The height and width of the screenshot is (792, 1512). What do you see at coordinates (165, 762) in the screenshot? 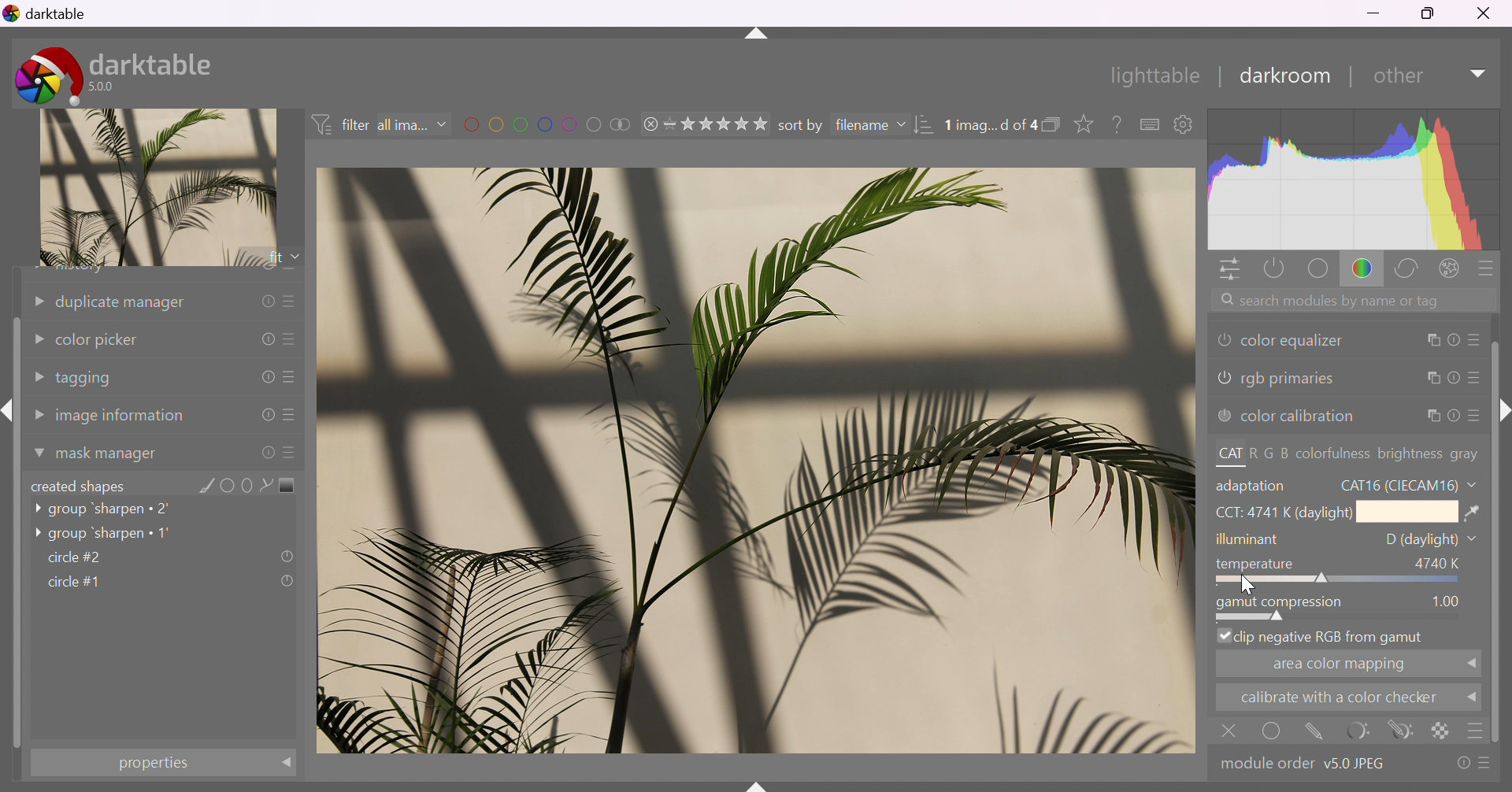
I see `properties` at bounding box center [165, 762].